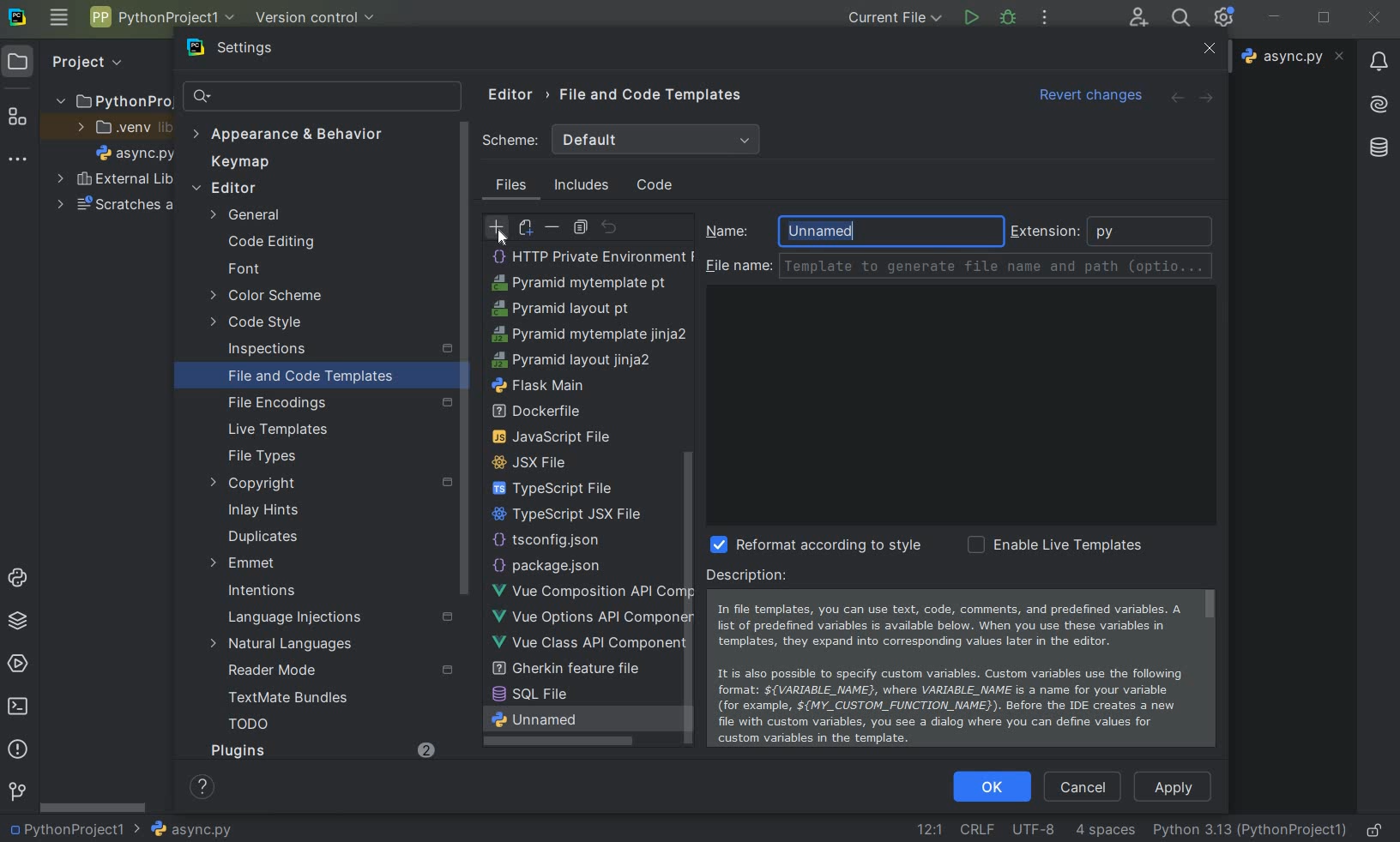 This screenshot has height=842, width=1400. Describe the element at coordinates (657, 186) in the screenshot. I see `code` at that location.